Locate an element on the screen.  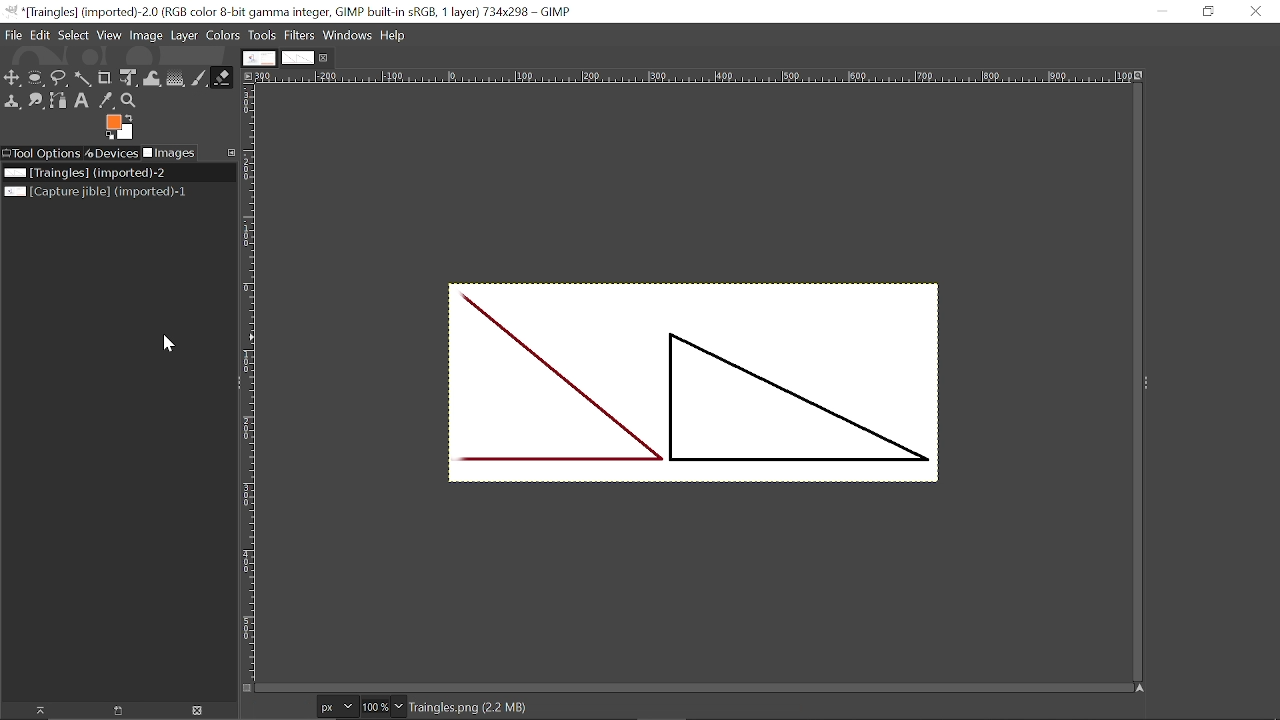
Current window is located at coordinates (294, 11).